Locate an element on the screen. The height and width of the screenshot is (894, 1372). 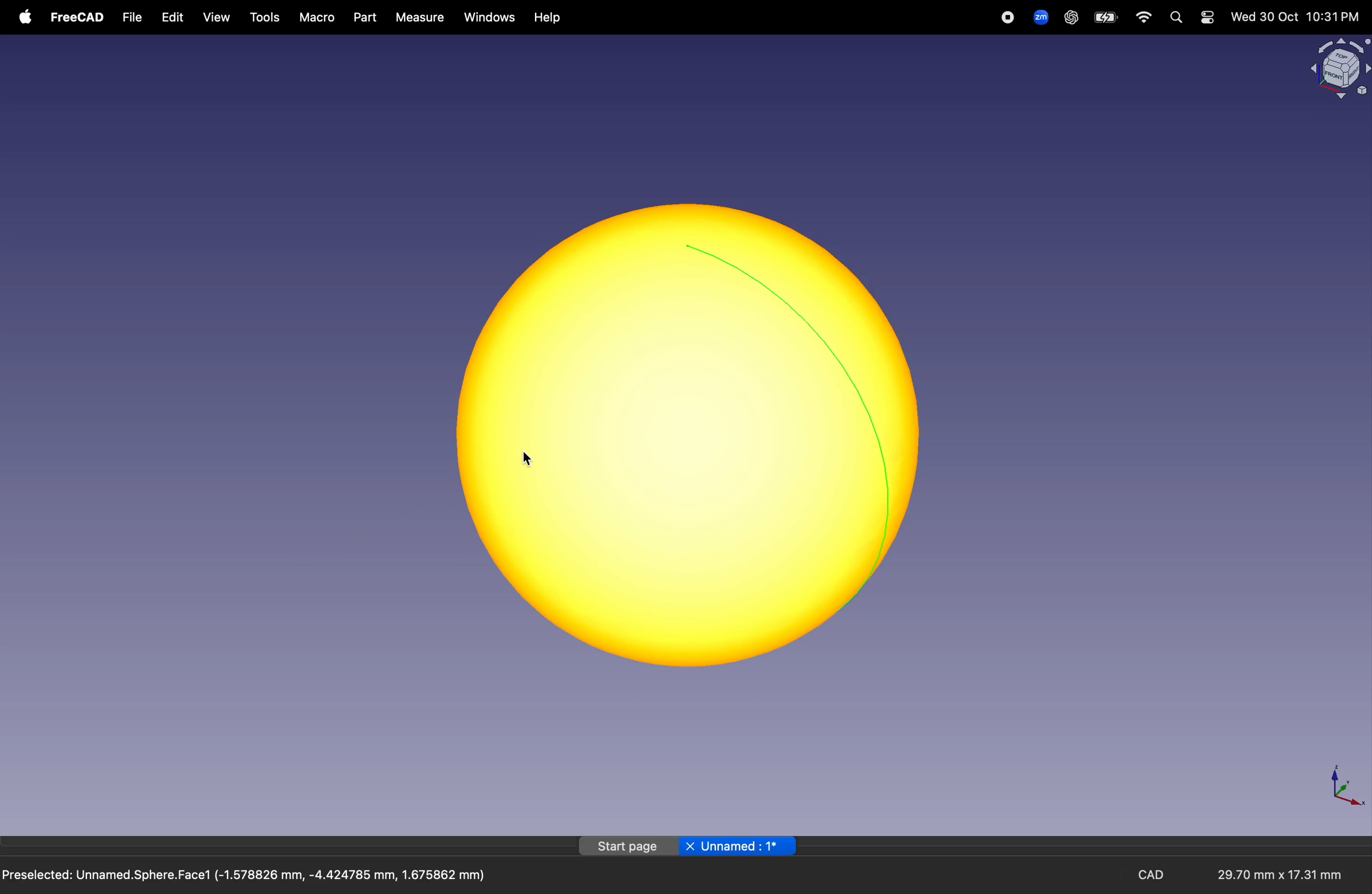
free Cad is located at coordinates (77, 18).